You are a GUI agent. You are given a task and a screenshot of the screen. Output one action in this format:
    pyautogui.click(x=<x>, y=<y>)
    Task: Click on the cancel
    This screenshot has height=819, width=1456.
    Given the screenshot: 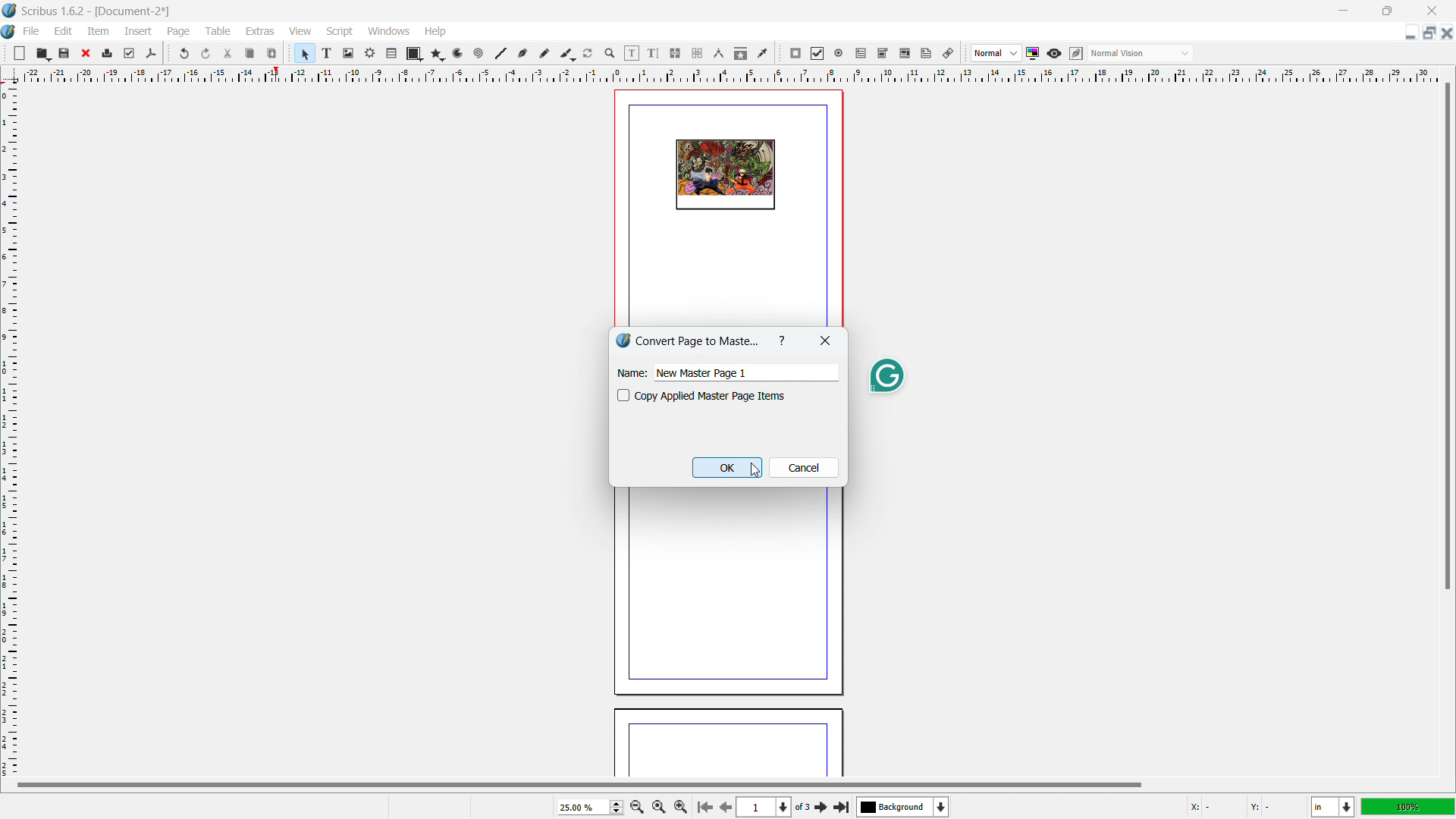 What is the action you would take?
    pyautogui.click(x=803, y=467)
    